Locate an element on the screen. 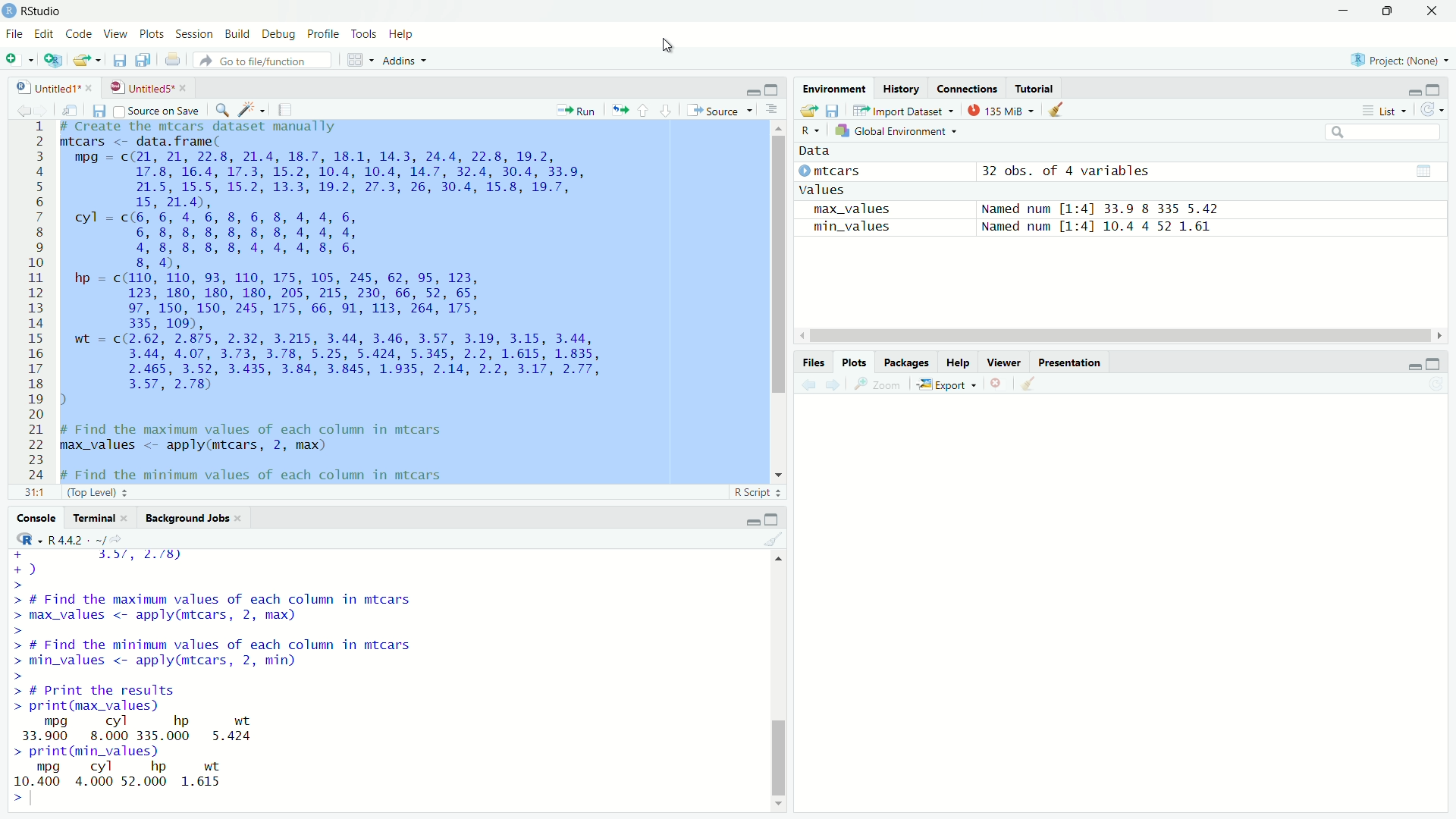  Plots is located at coordinates (152, 33).